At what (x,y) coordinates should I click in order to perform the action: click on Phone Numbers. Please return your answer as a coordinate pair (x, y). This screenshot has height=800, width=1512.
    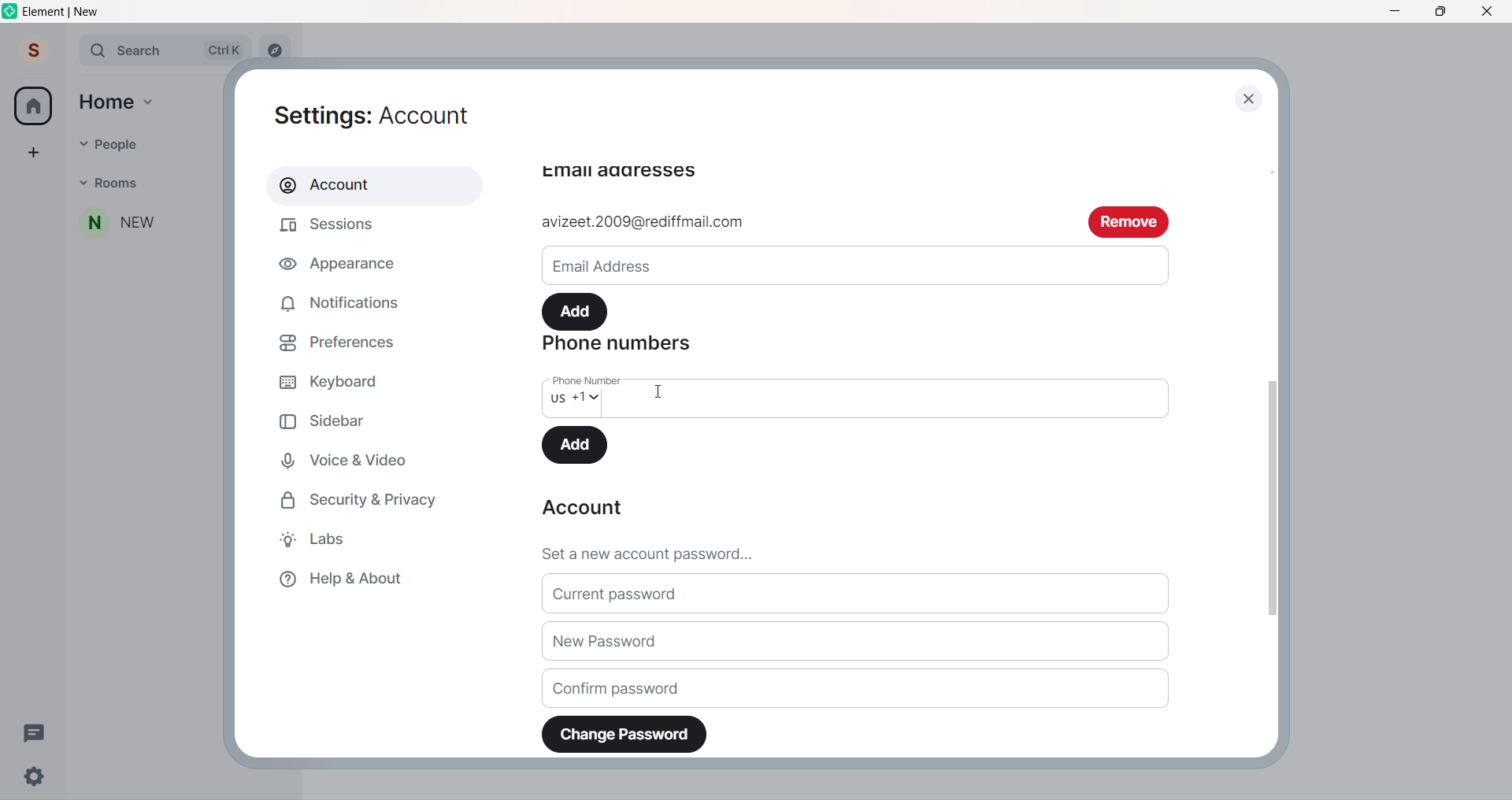
    Looking at the image, I should click on (624, 347).